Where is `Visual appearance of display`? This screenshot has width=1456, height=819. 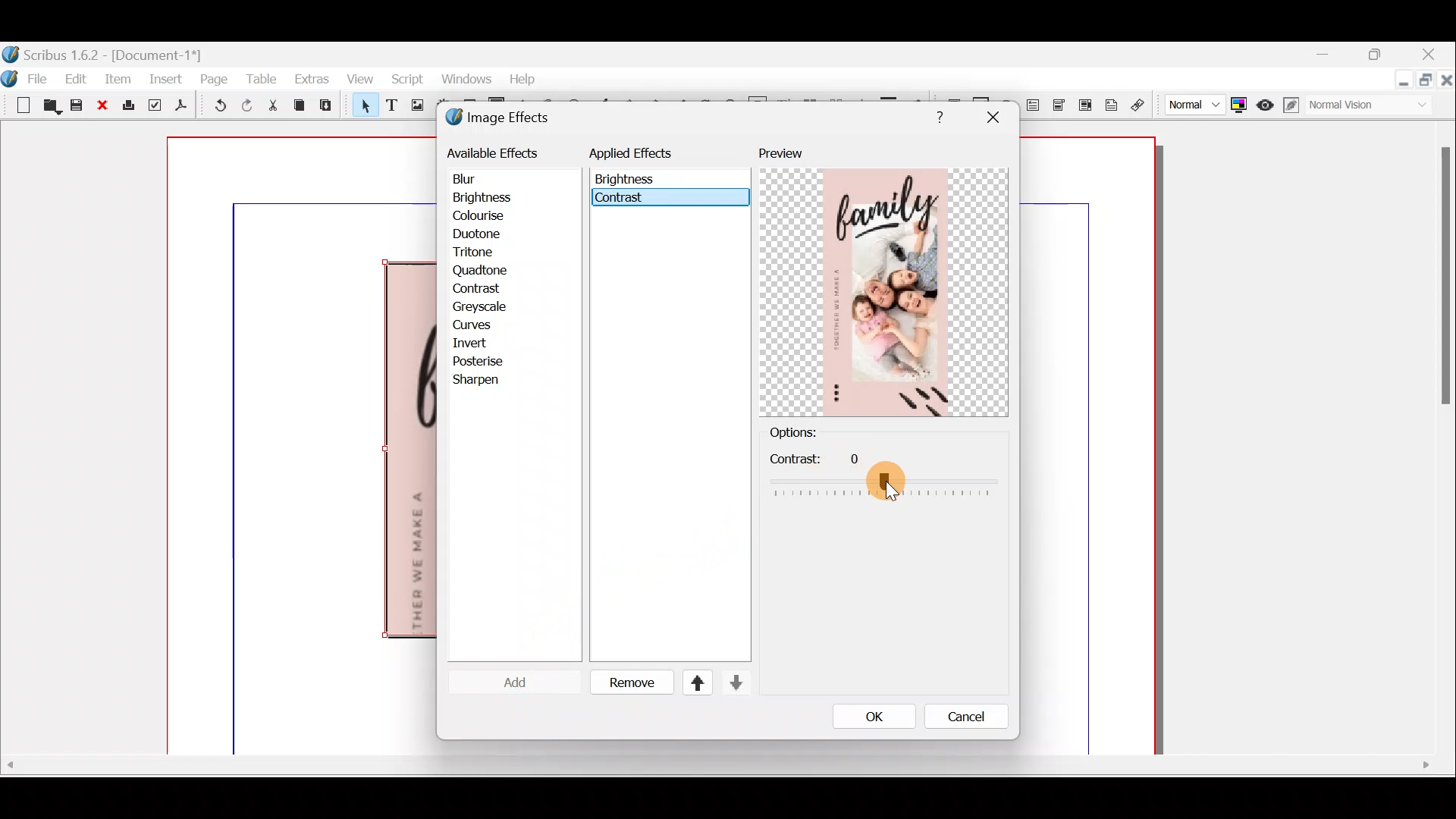 Visual appearance of display is located at coordinates (1376, 106).